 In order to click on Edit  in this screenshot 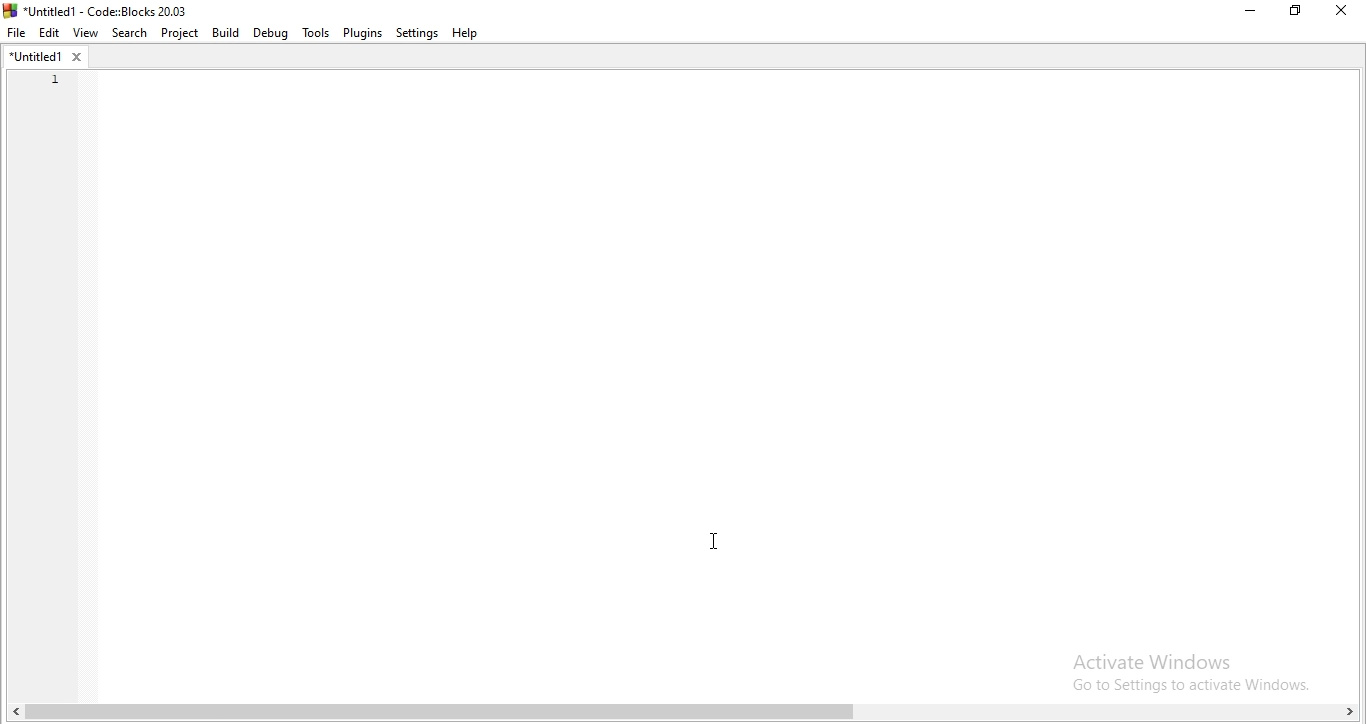, I will do `click(50, 33)`.